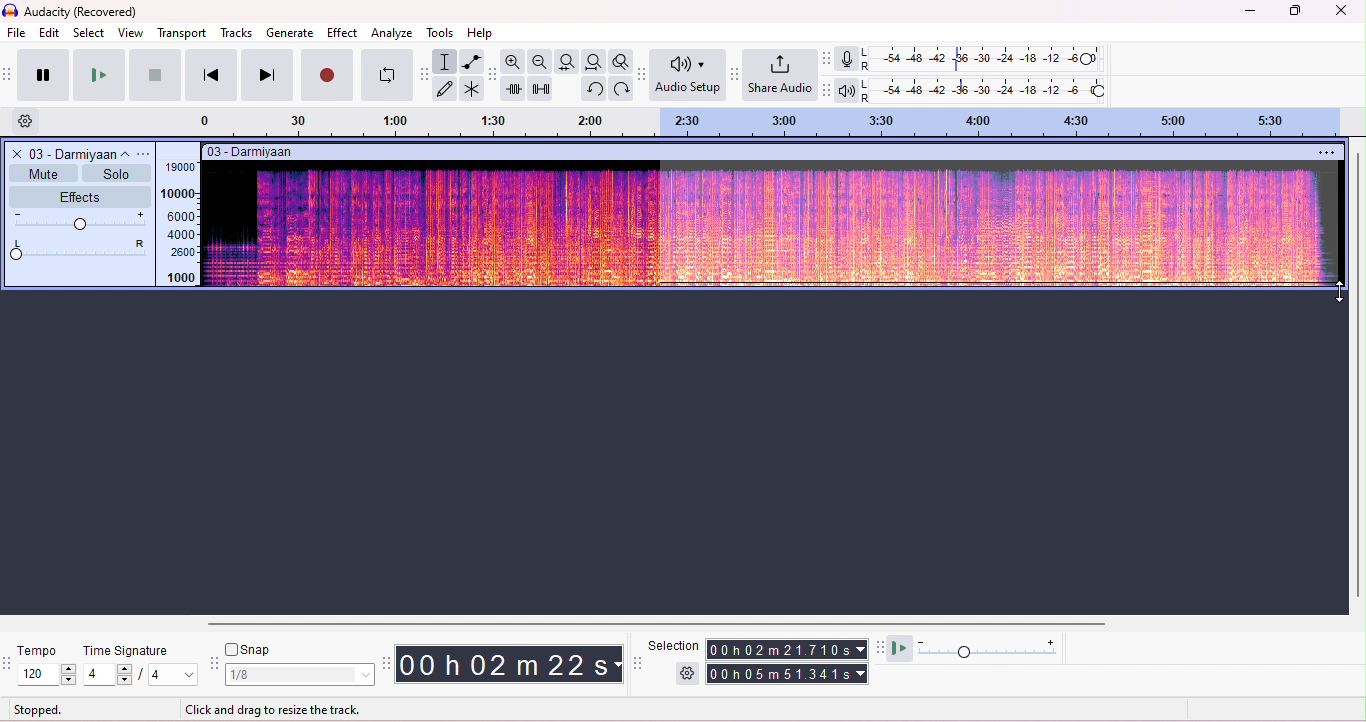 This screenshot has height=722, width=1366. I want to click on previous, so click(210, 75).